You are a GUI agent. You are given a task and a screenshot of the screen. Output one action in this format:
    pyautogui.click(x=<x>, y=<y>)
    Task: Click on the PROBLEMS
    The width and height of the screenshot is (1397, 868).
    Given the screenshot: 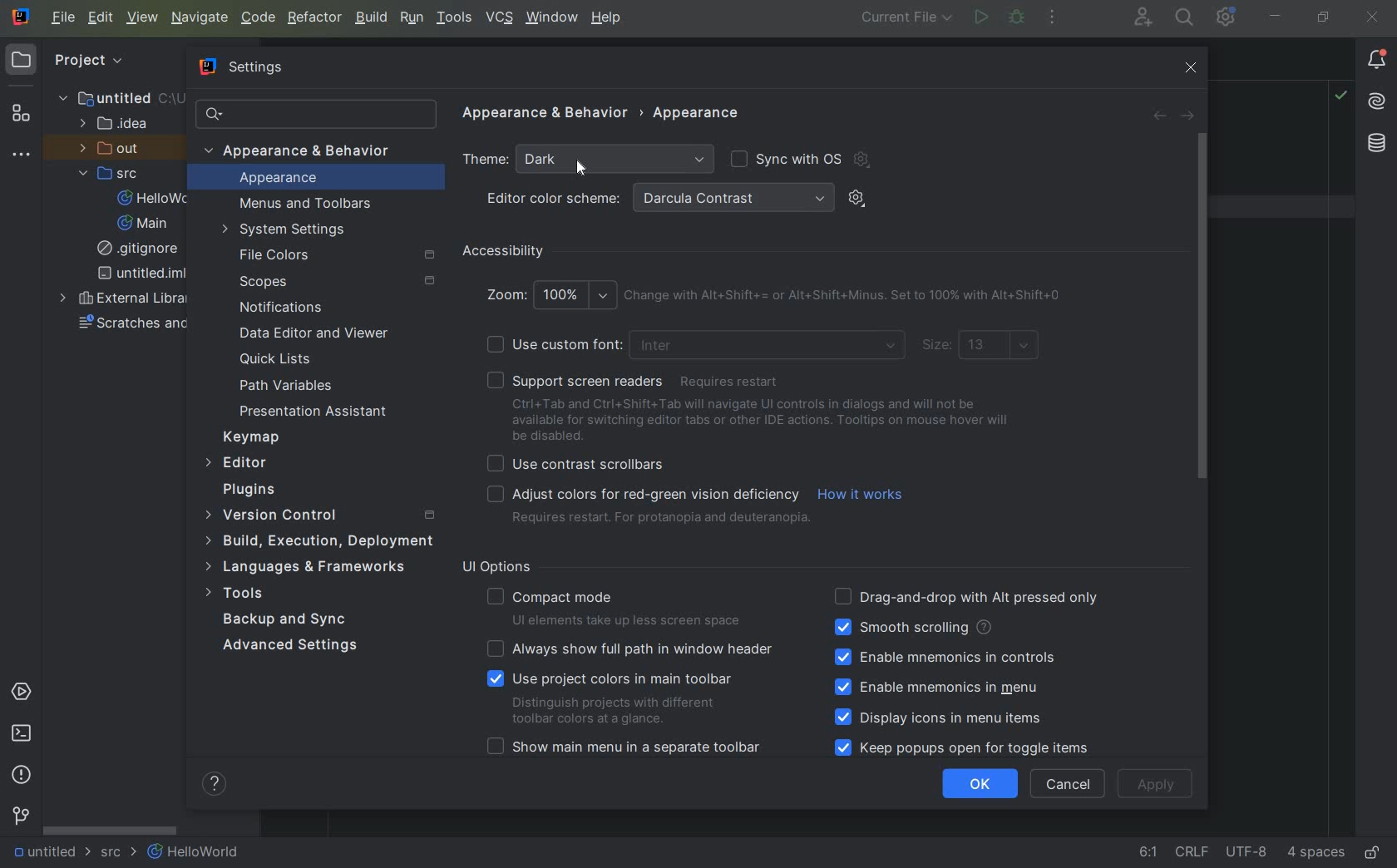 What is the action you would take?
    pyautogui.click(x=22, y=774)
    